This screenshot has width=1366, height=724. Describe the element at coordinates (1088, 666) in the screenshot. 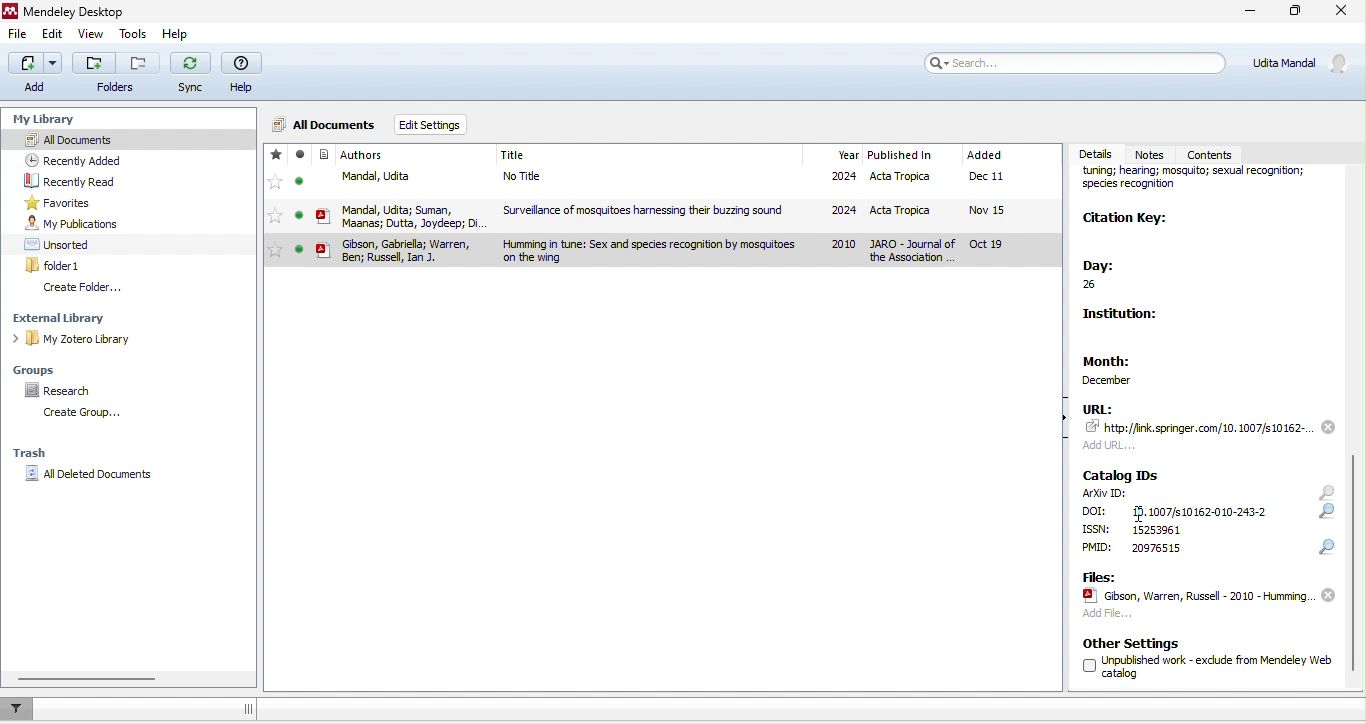

I see `checkbox` at that location.